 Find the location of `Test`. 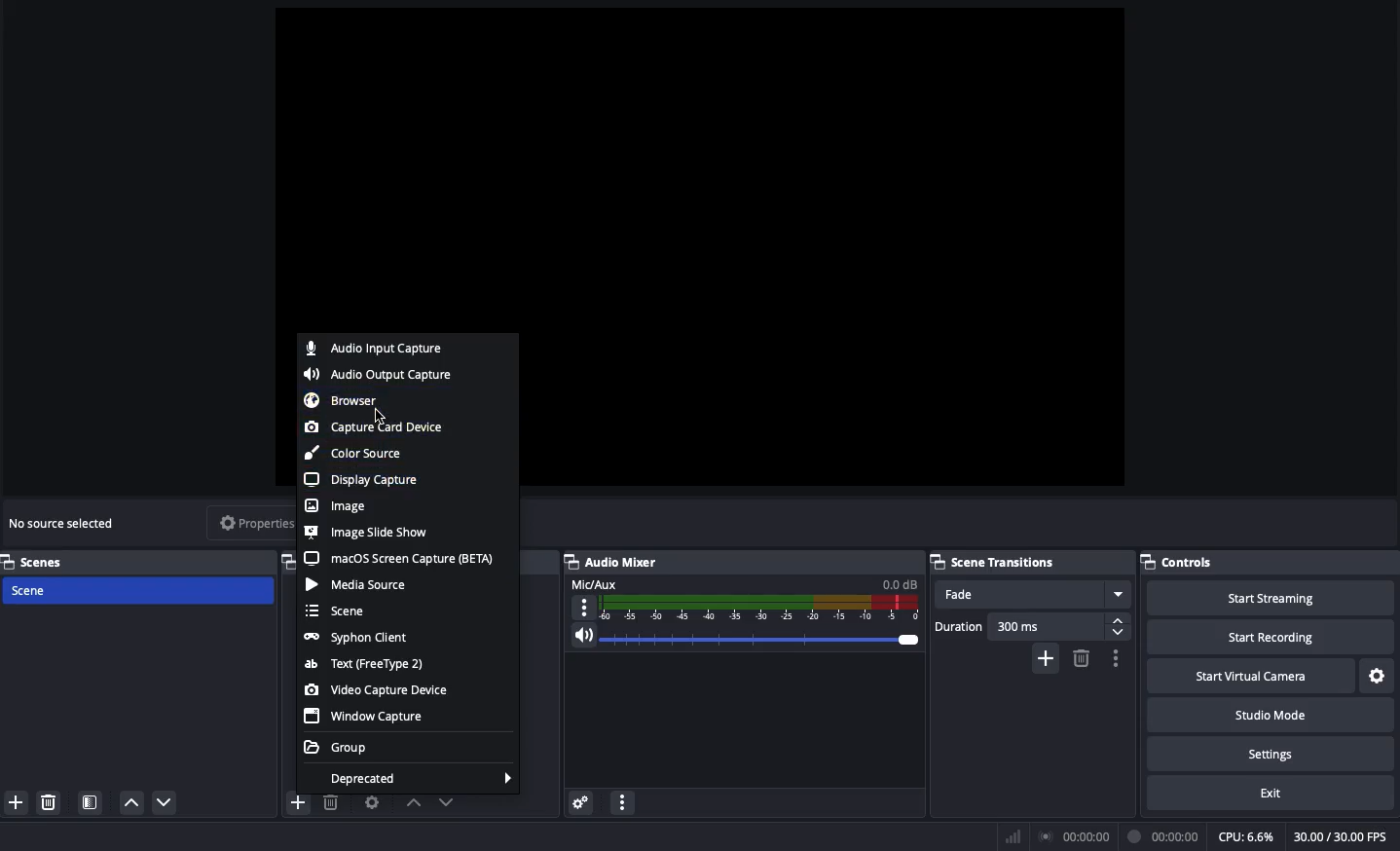

Test is located at coordinates (366, 663).